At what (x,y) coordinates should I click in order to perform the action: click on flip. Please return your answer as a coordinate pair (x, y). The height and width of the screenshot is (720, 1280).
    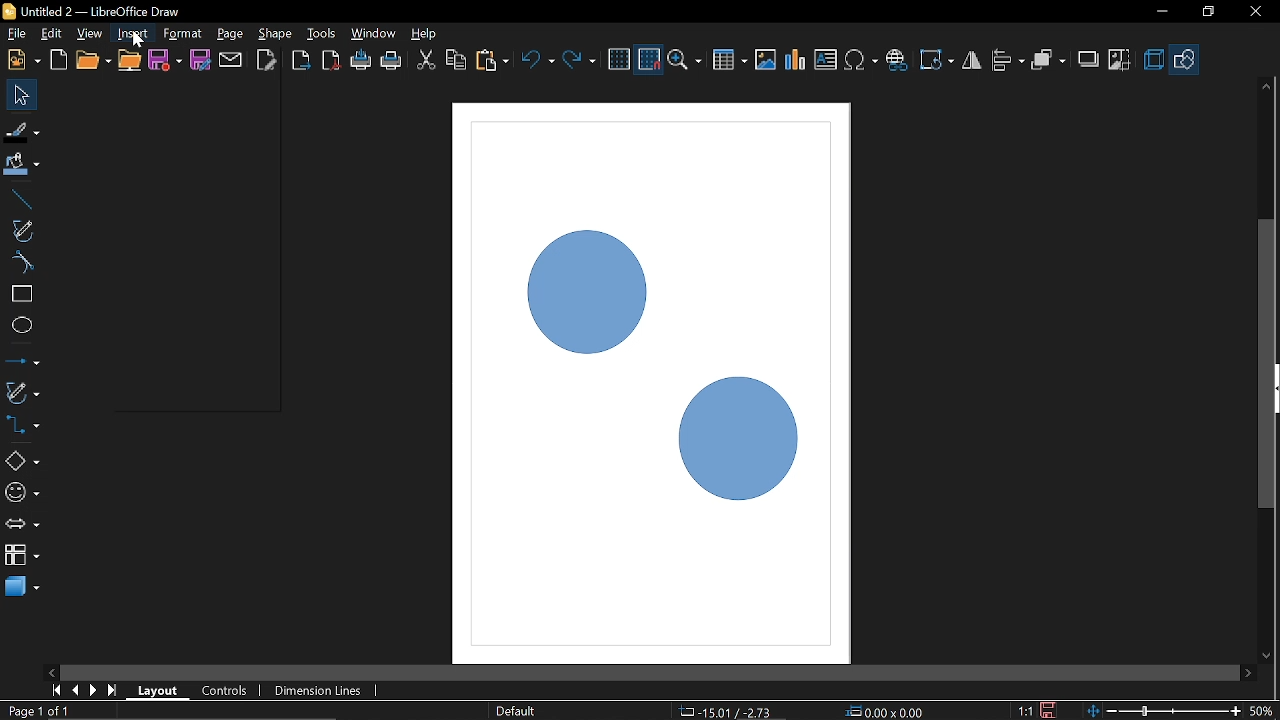
    Looking at the image, I should click on (973, 62).